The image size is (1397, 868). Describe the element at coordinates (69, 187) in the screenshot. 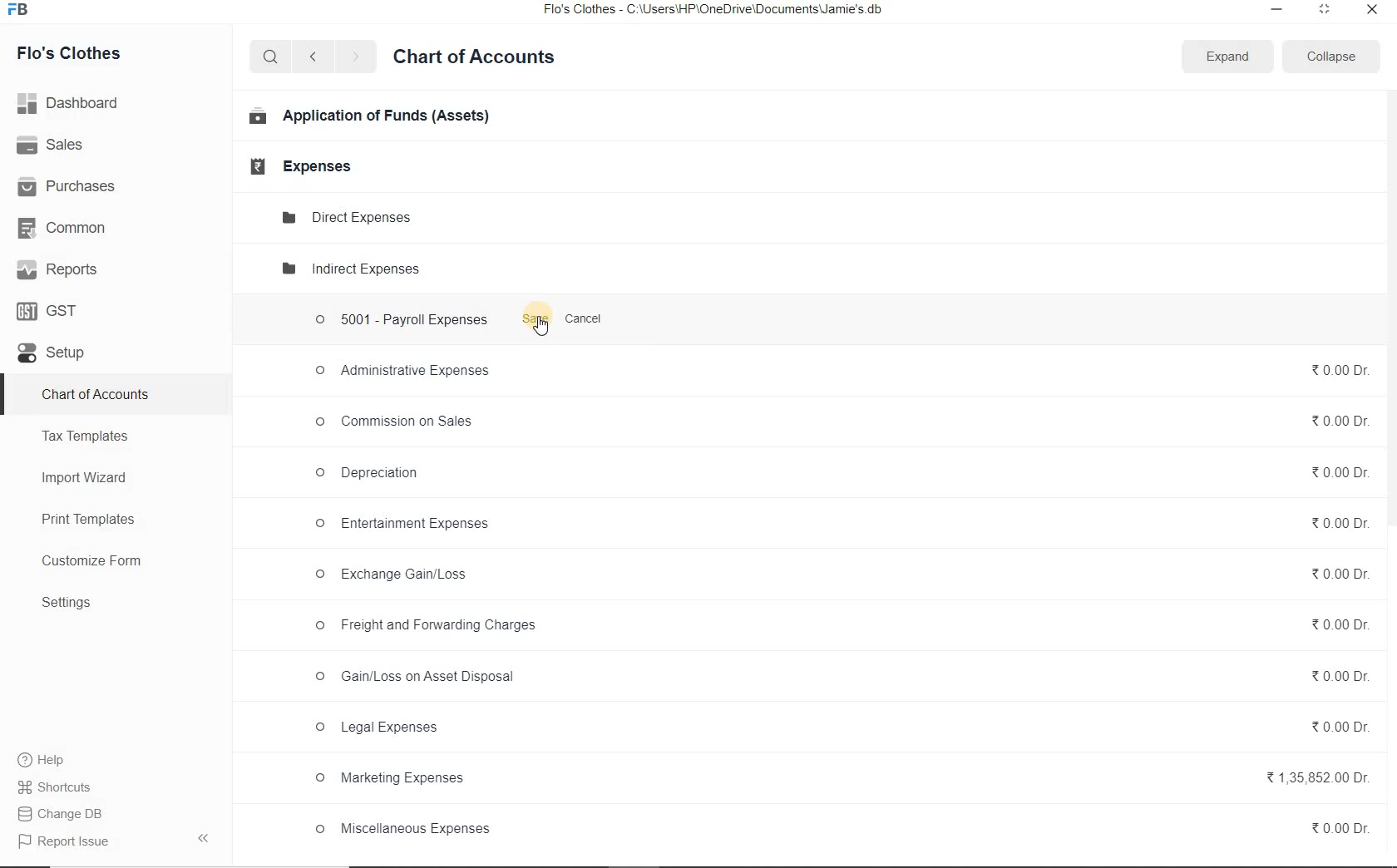

I see `Purchases` at that location.